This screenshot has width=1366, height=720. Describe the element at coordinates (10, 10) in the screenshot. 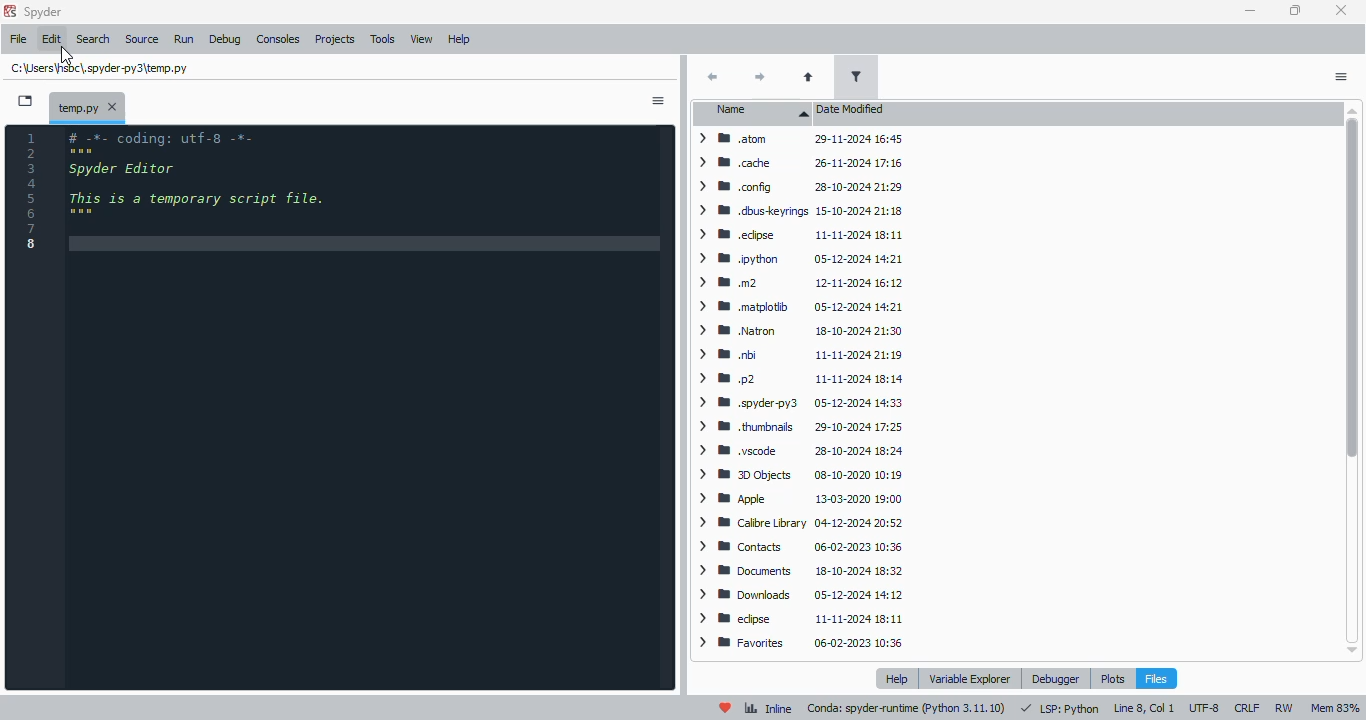

I see `logo` at that location.